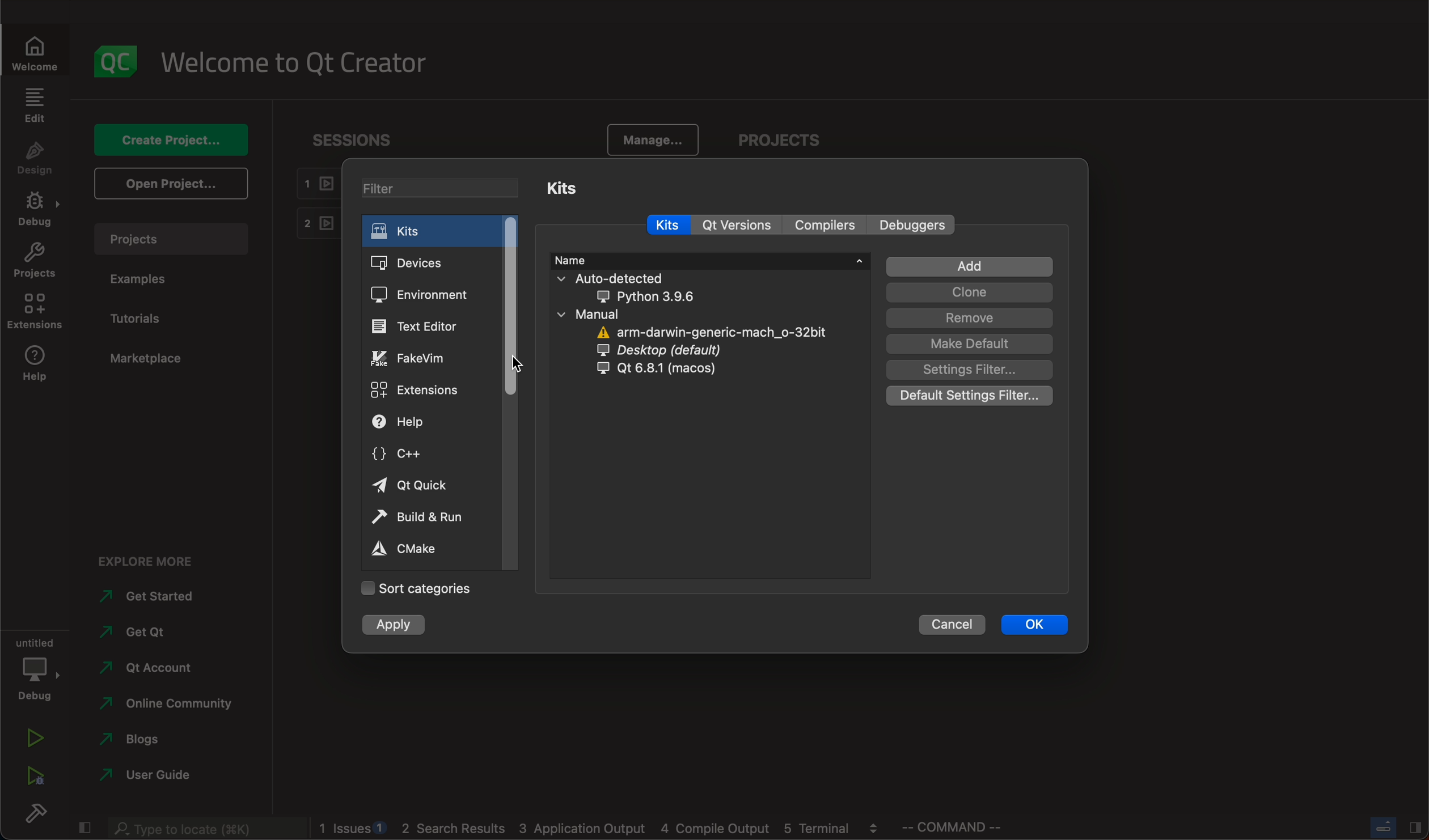 The height and width of the screenshot is (840, 1429). Describe the element at coordinates (585, 189) in the screenshot. I see `kits` at that location.